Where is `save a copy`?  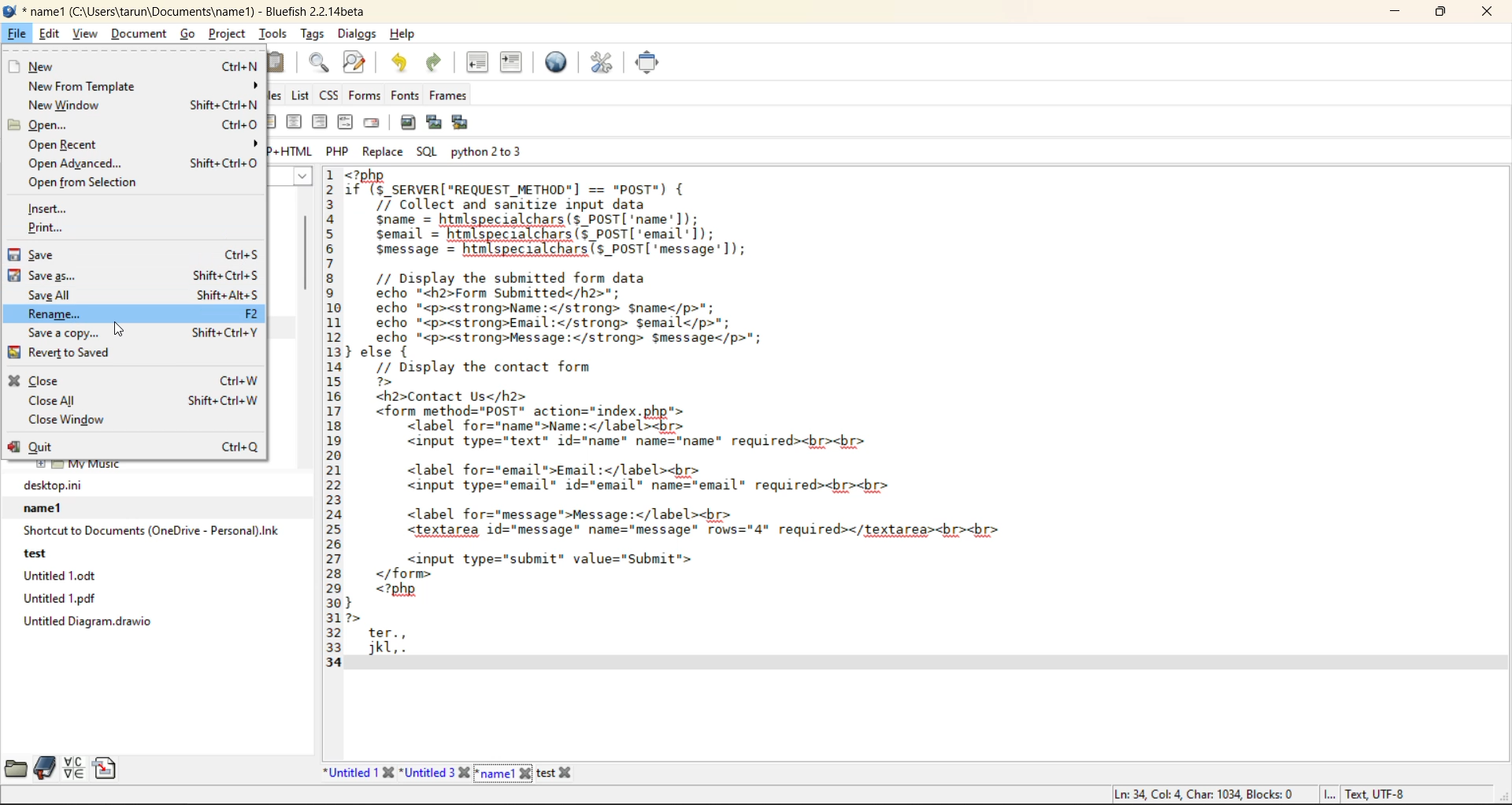
save a copy is located at coordinates (138, 334).